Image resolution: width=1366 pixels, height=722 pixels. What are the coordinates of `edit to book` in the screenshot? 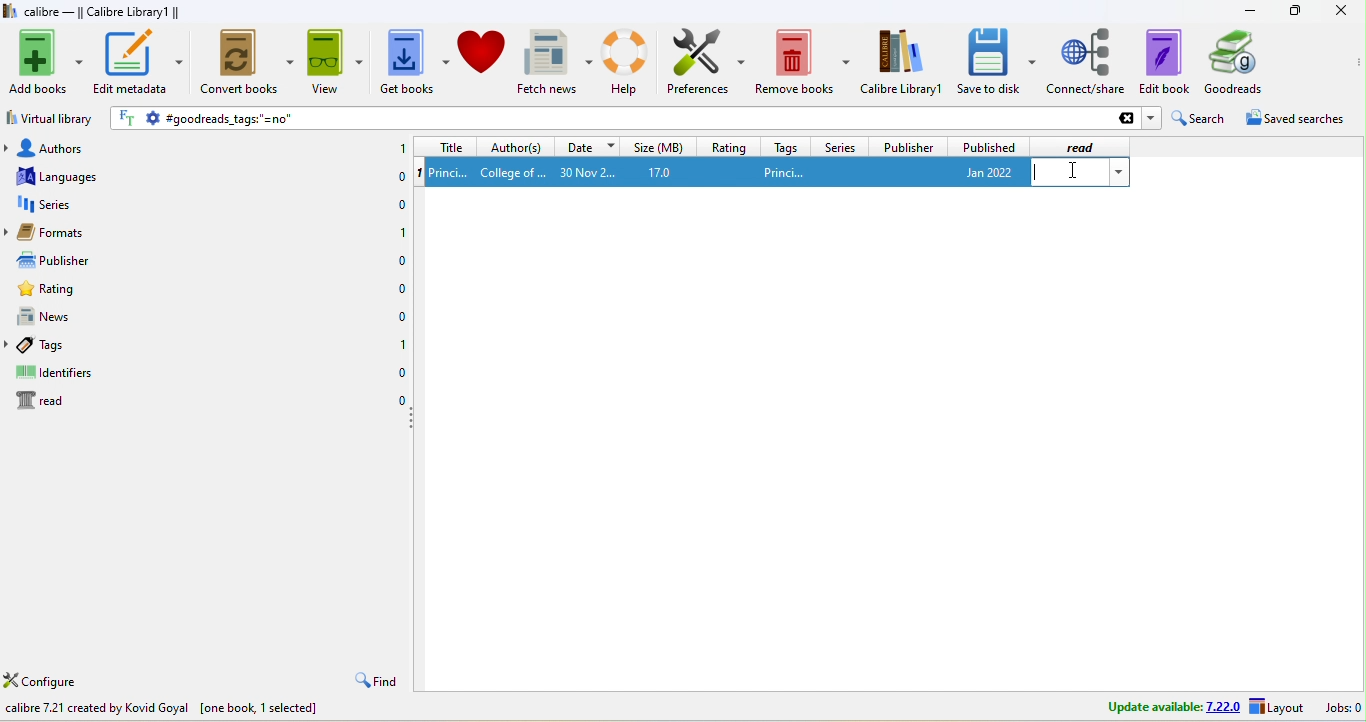 It's located at (1164, 62).